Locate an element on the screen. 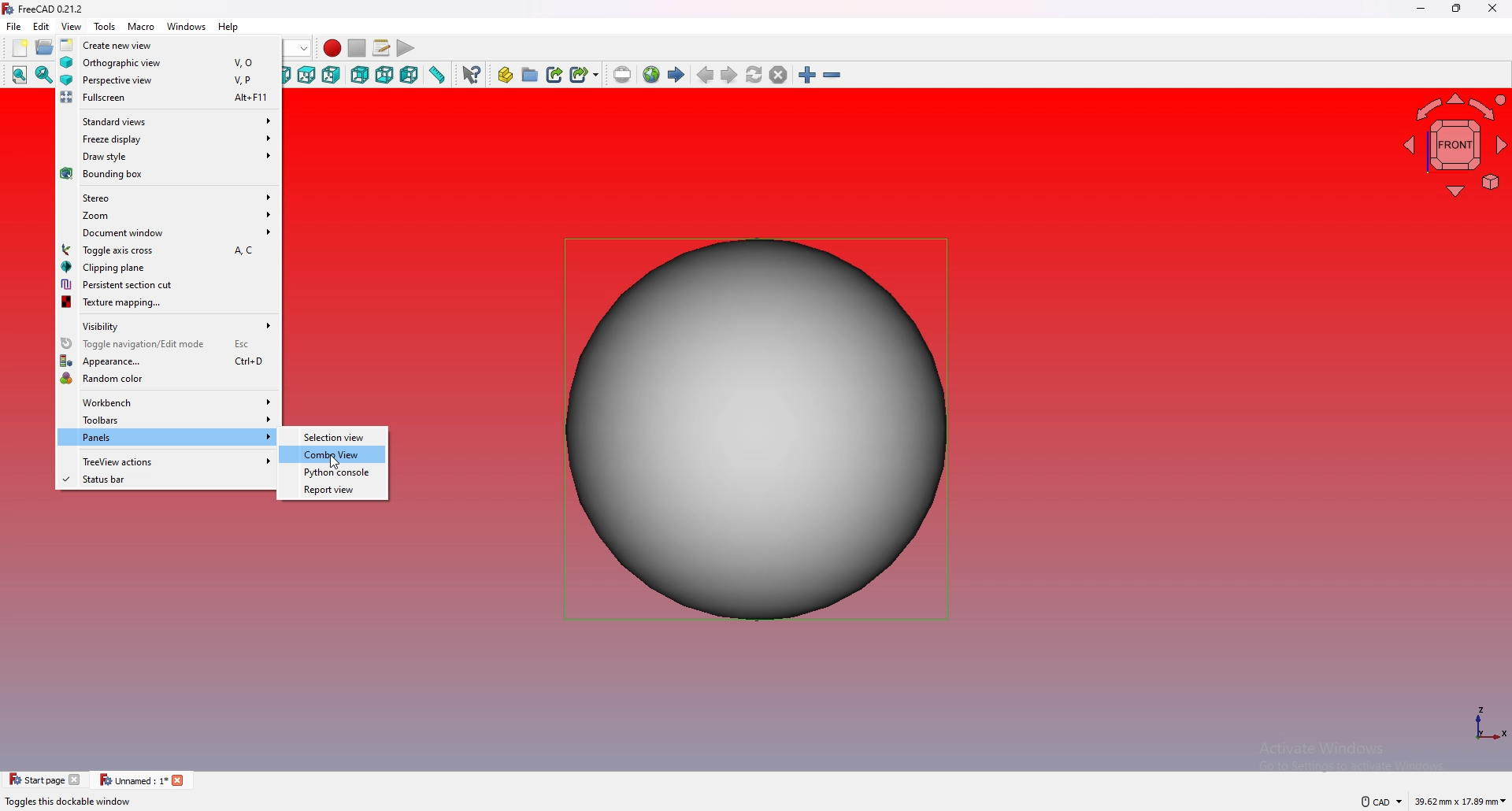 Image resolution: width=1512 pixels, height=811 pixels. bottom is located at coordinates (385, 76).